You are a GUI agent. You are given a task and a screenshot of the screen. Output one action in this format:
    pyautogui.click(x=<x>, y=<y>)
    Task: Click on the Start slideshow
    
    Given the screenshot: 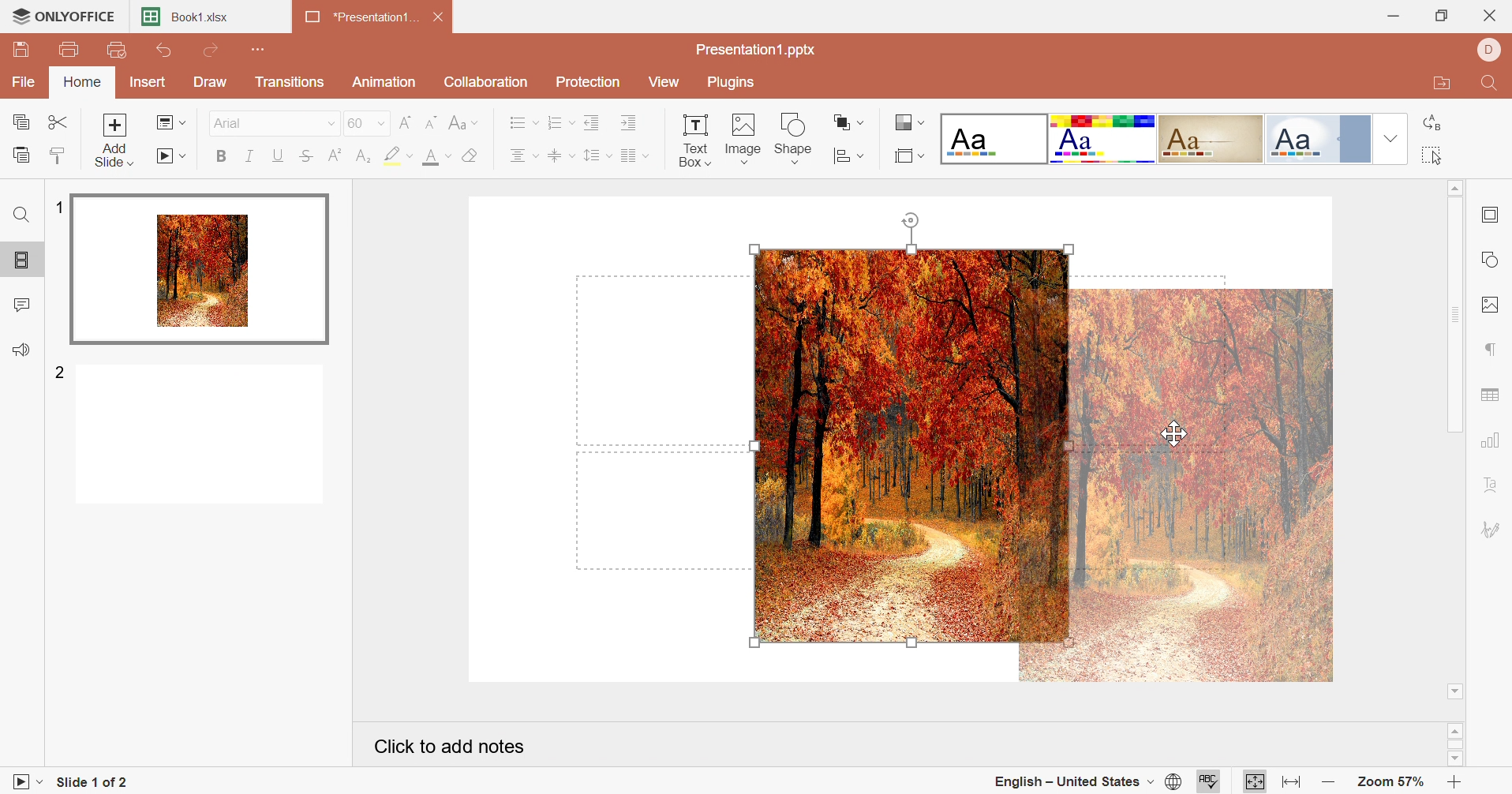 What is the action you would take?
    pyautogui.click(x=174, y=156)
    